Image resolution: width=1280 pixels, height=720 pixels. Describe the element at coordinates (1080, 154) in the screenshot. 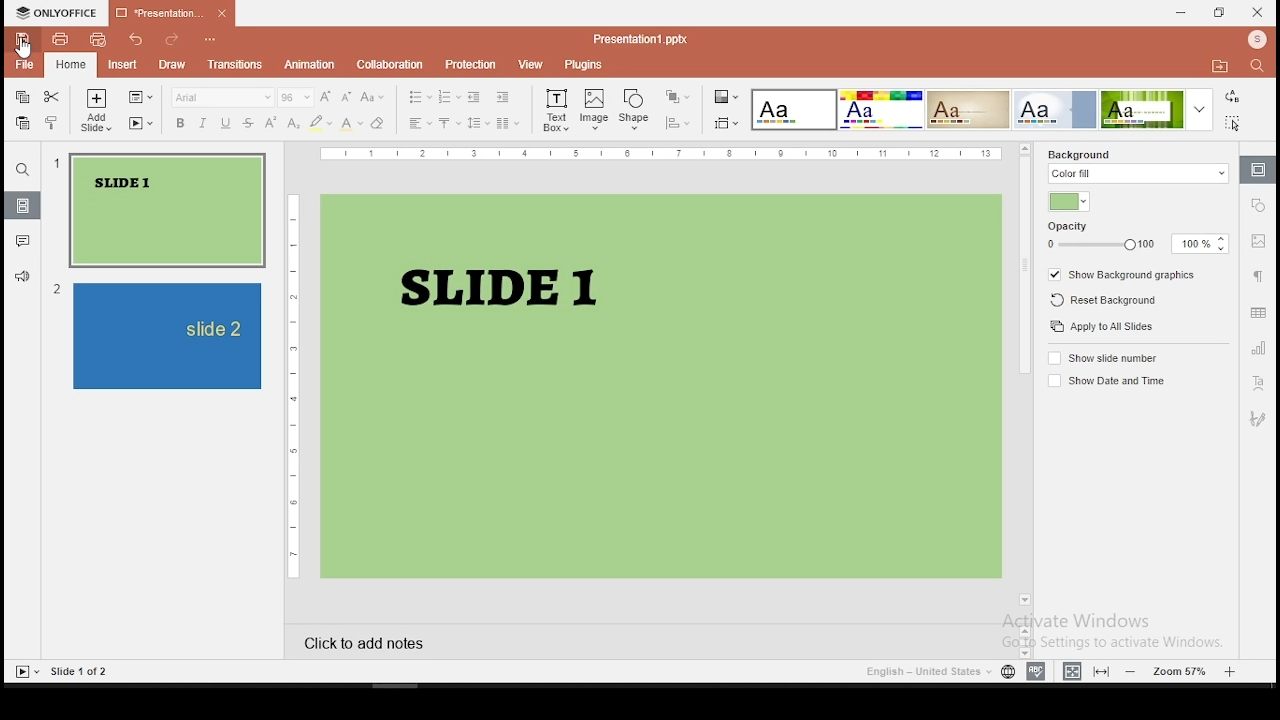

I see `background fill` at that location.